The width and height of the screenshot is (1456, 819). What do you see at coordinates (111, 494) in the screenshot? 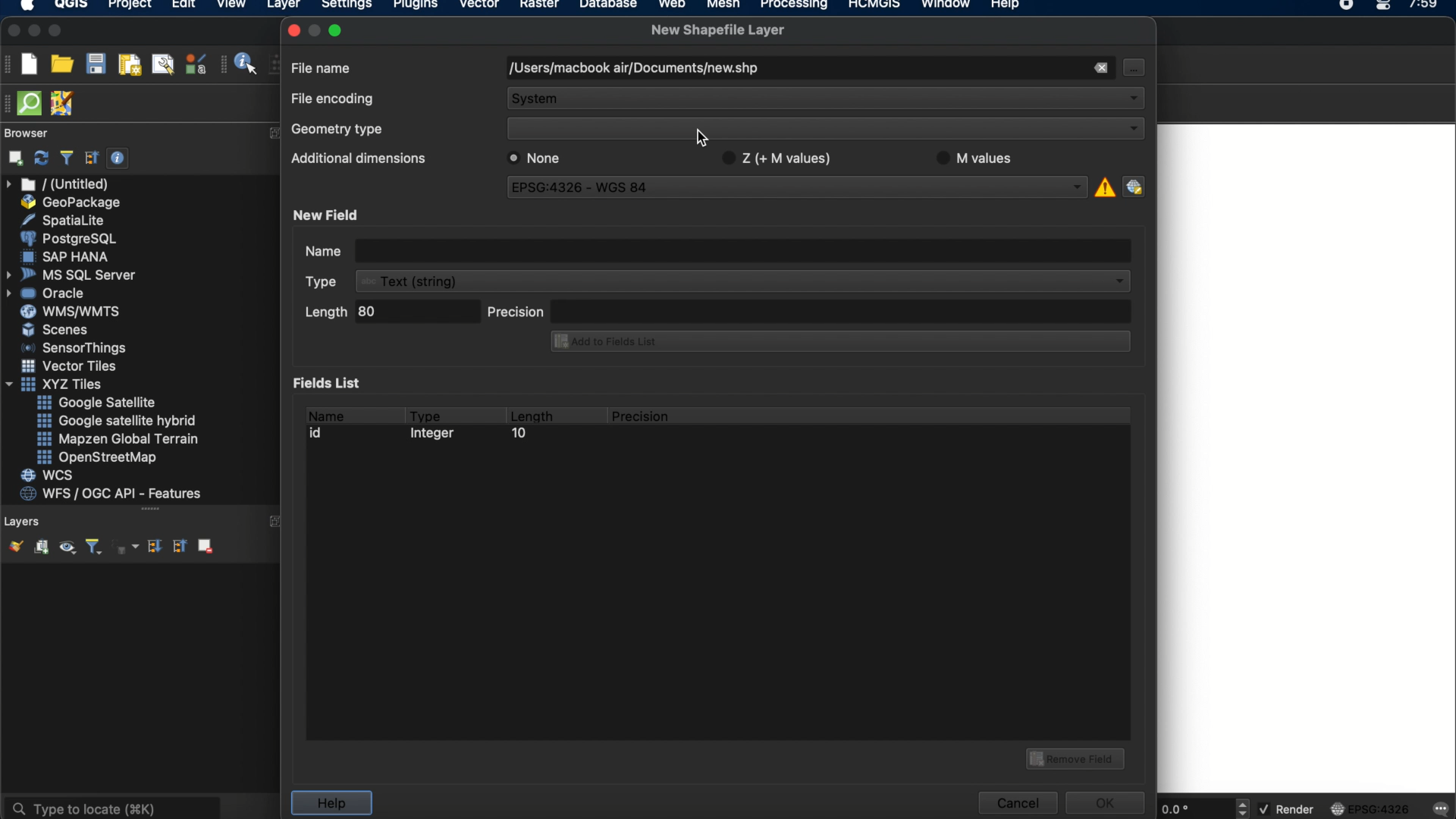
I see `was/ogc api- features` at bounding box center [111, 494].